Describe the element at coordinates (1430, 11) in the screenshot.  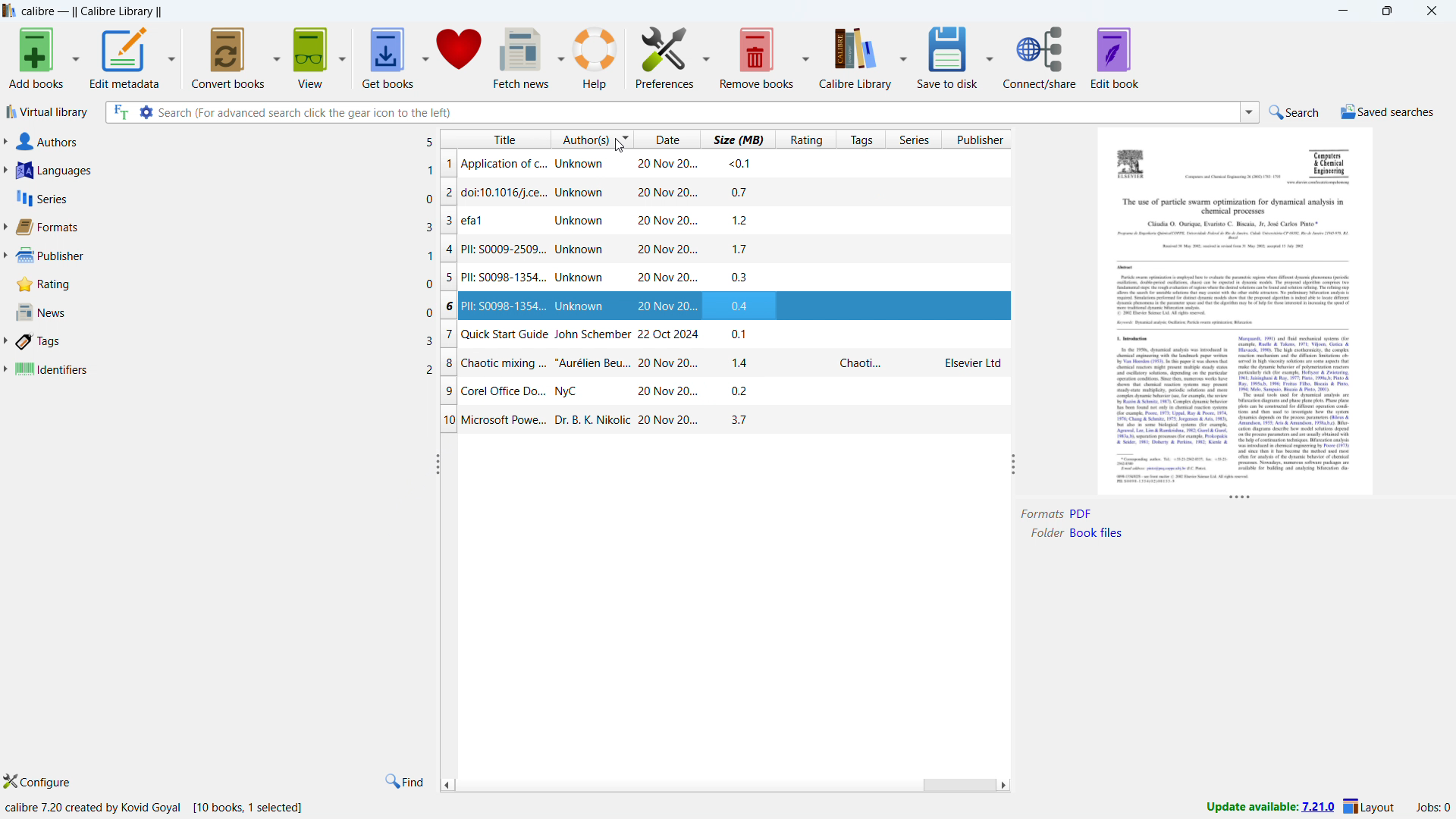
I see `close` at that location.